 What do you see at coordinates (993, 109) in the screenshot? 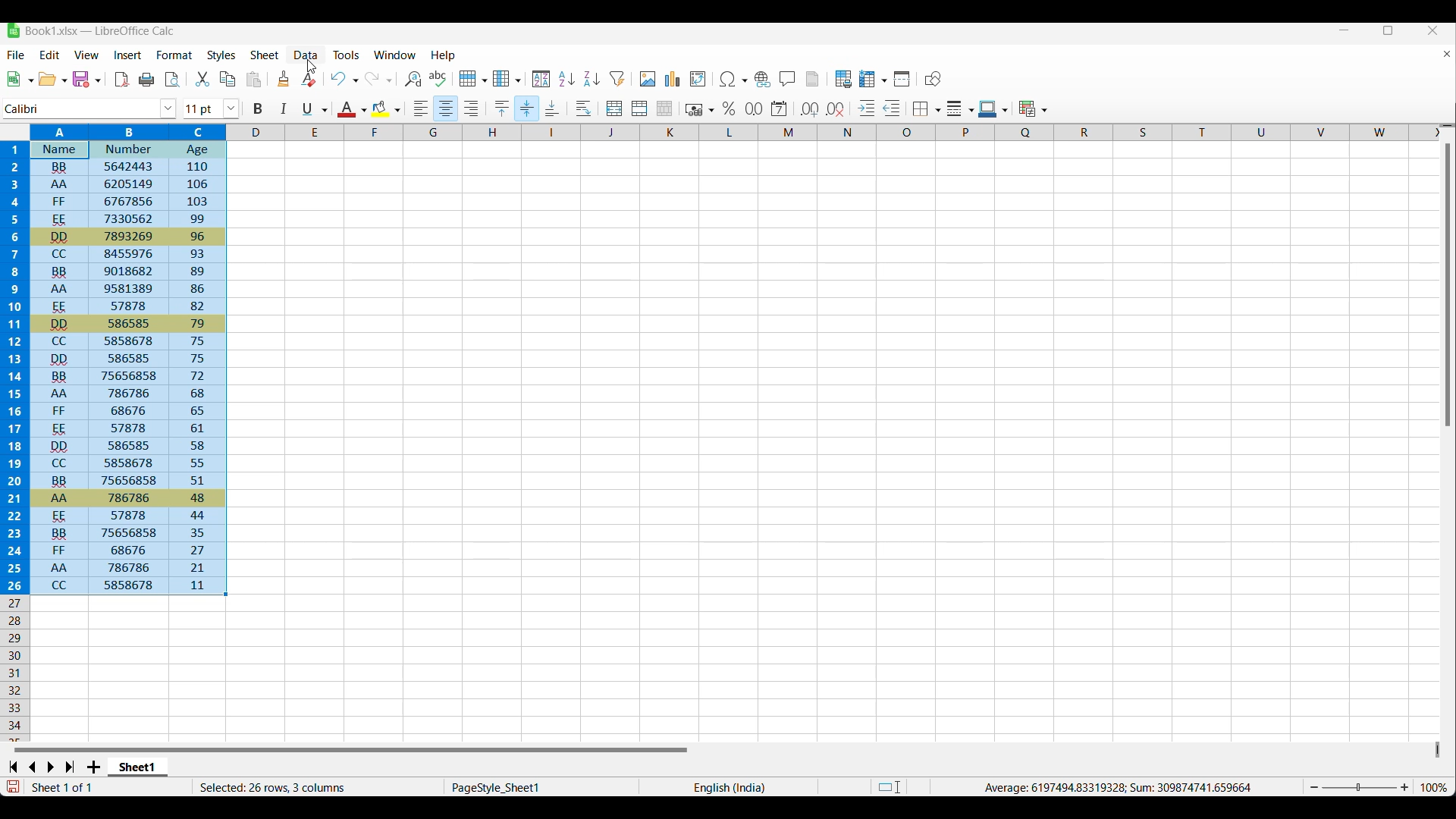
I see `Current border color and other border color options` at bounding box center [993, 109].